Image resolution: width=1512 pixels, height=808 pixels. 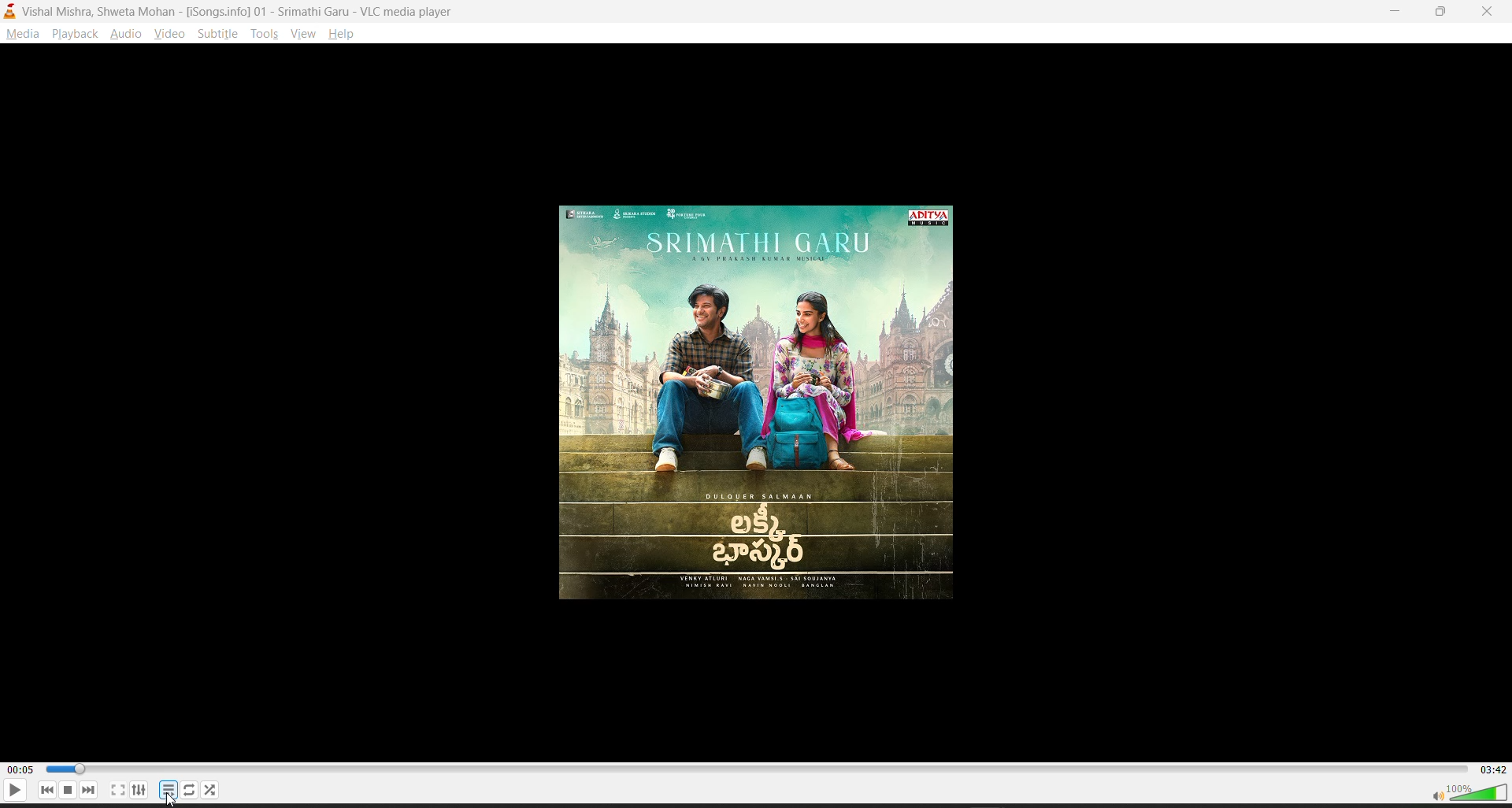 What do you see at coordinates (11, 13) in the screenshot?
I see `vlc logo` at bounding box center [11, 13].